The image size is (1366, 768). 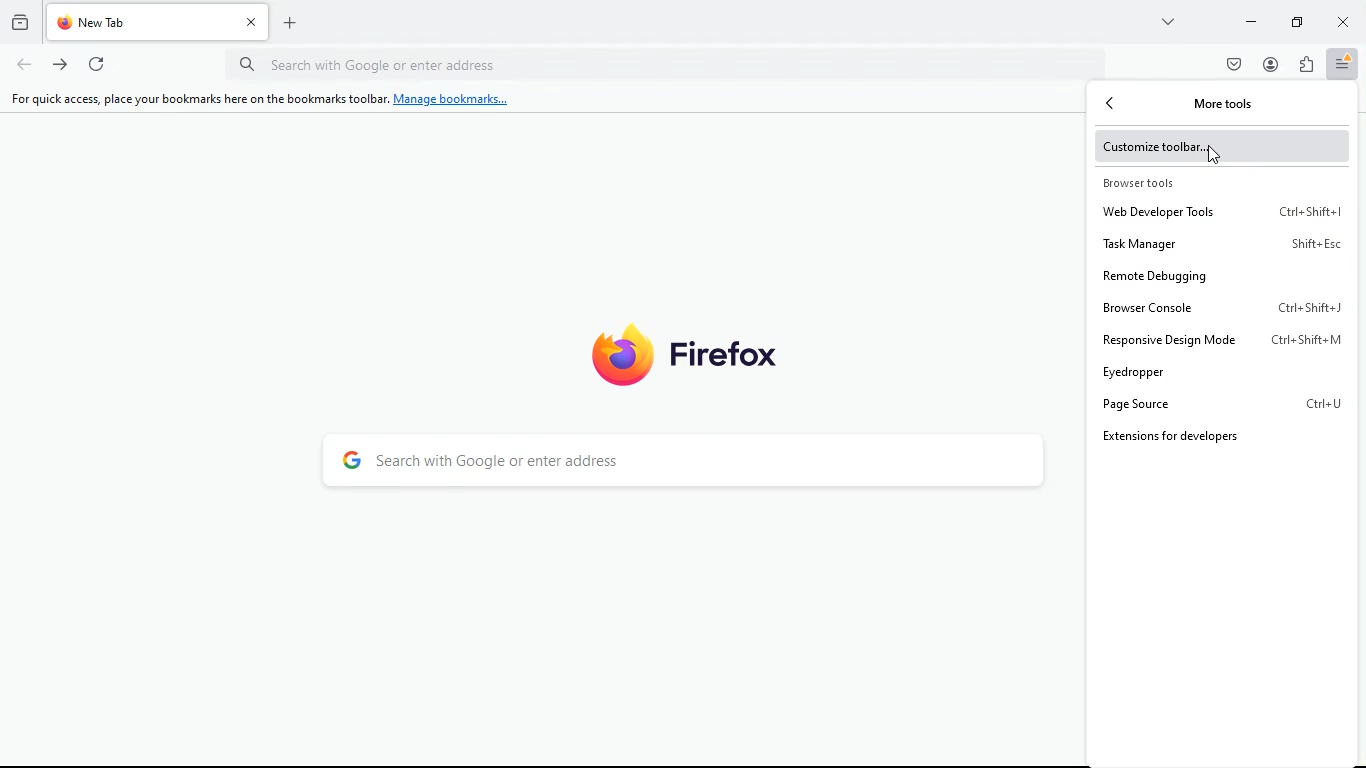 What do you see at coordinates (1218, 307) in the screenshot?
I see `browser console` at bounding box center [1218, 307].